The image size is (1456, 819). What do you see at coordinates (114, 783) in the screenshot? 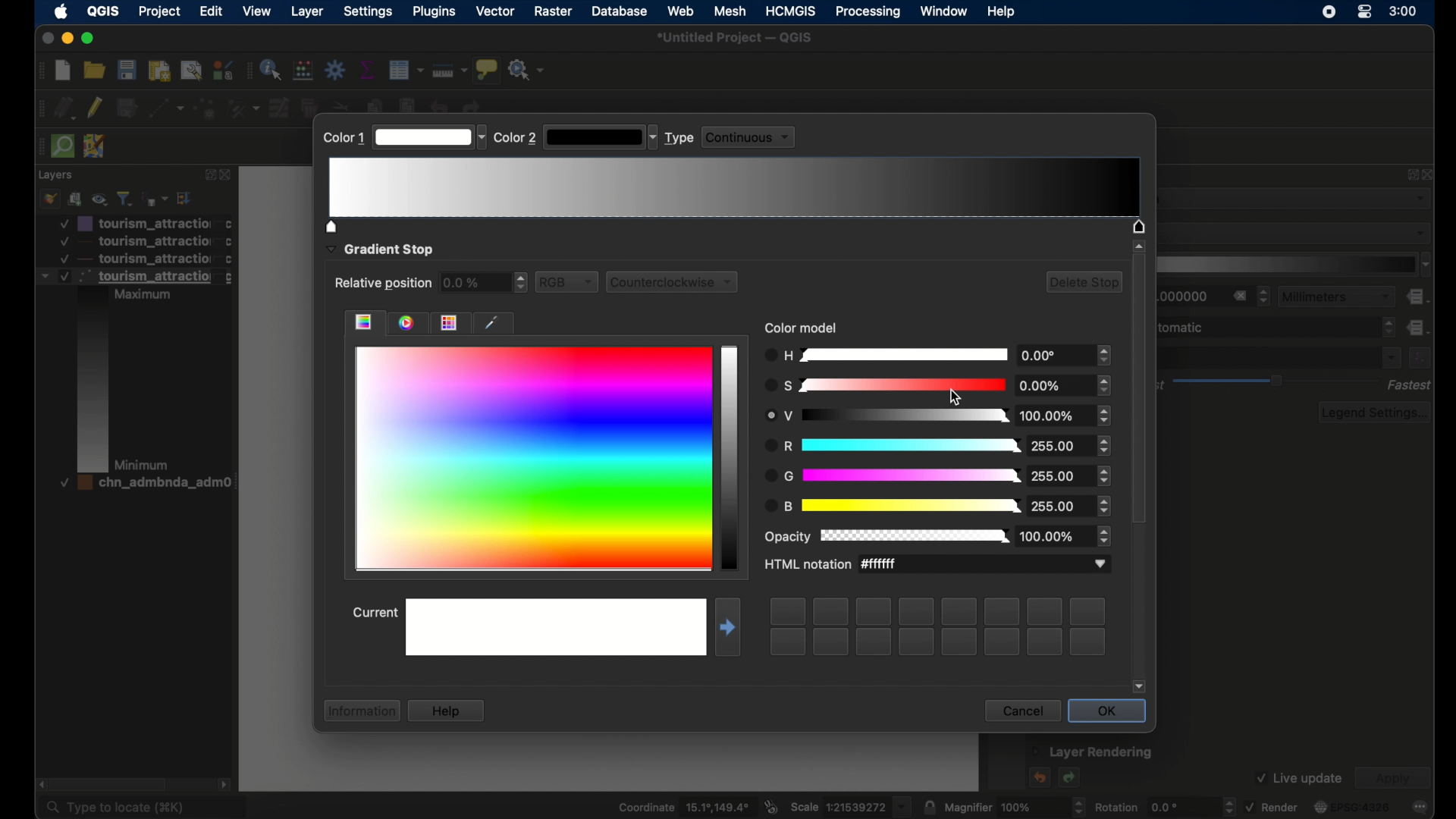
I see `scroll box` at bounding box center [114, 783].